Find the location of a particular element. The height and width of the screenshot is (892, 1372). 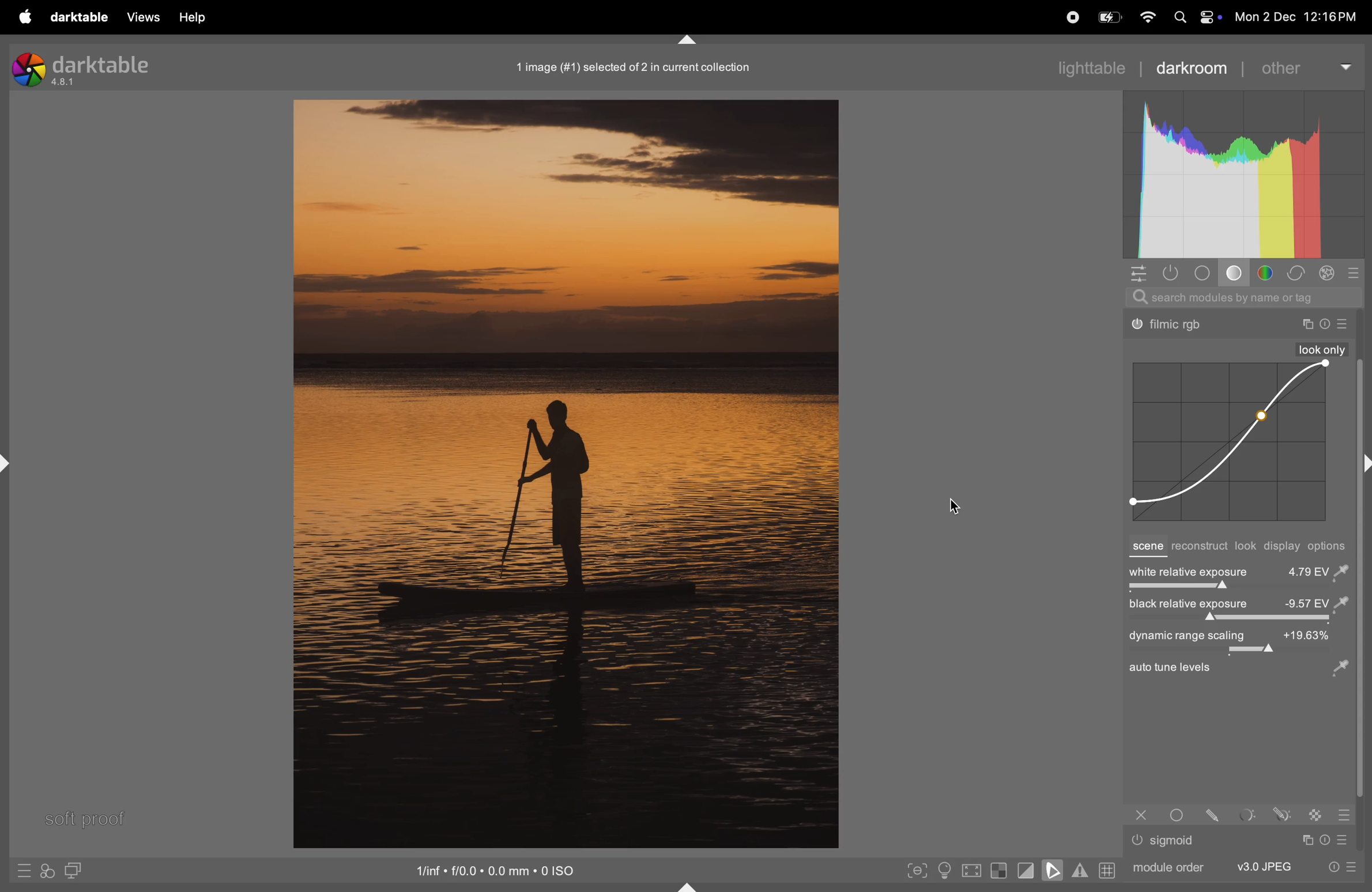

 is located at coordinates (1249, 815).